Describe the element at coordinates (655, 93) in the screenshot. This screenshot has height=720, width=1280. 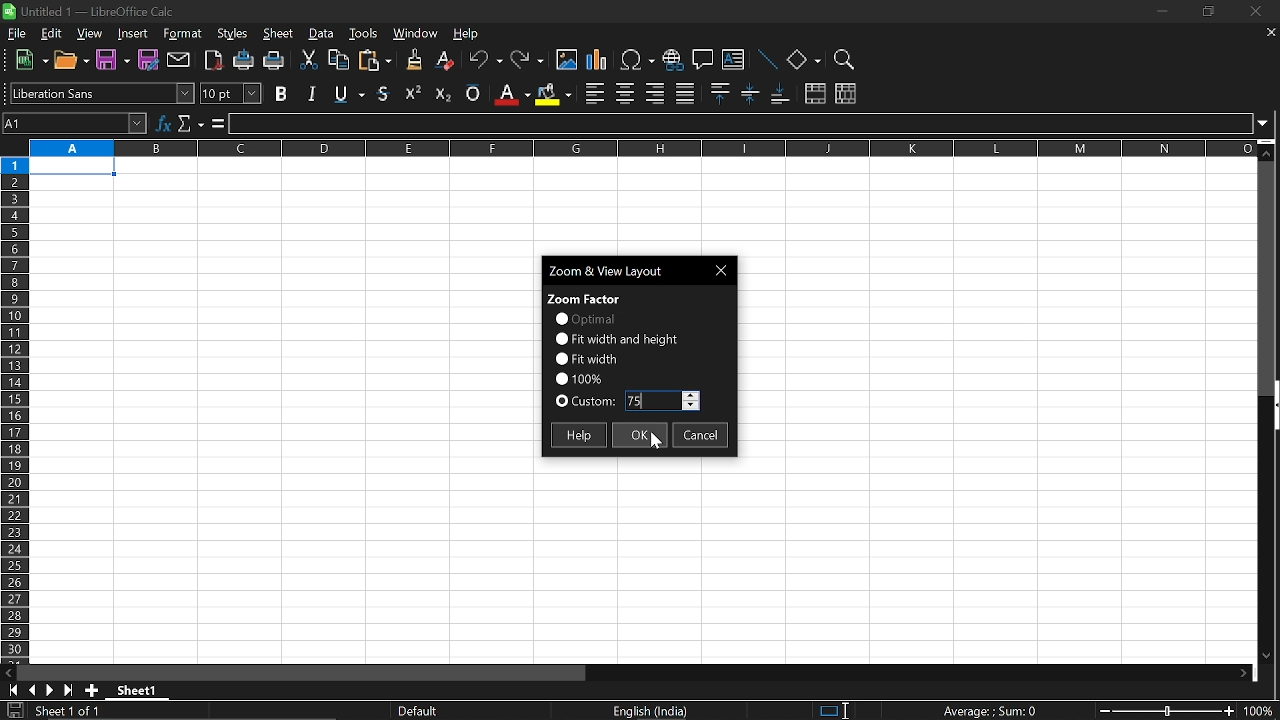
I see `align right` at that location.